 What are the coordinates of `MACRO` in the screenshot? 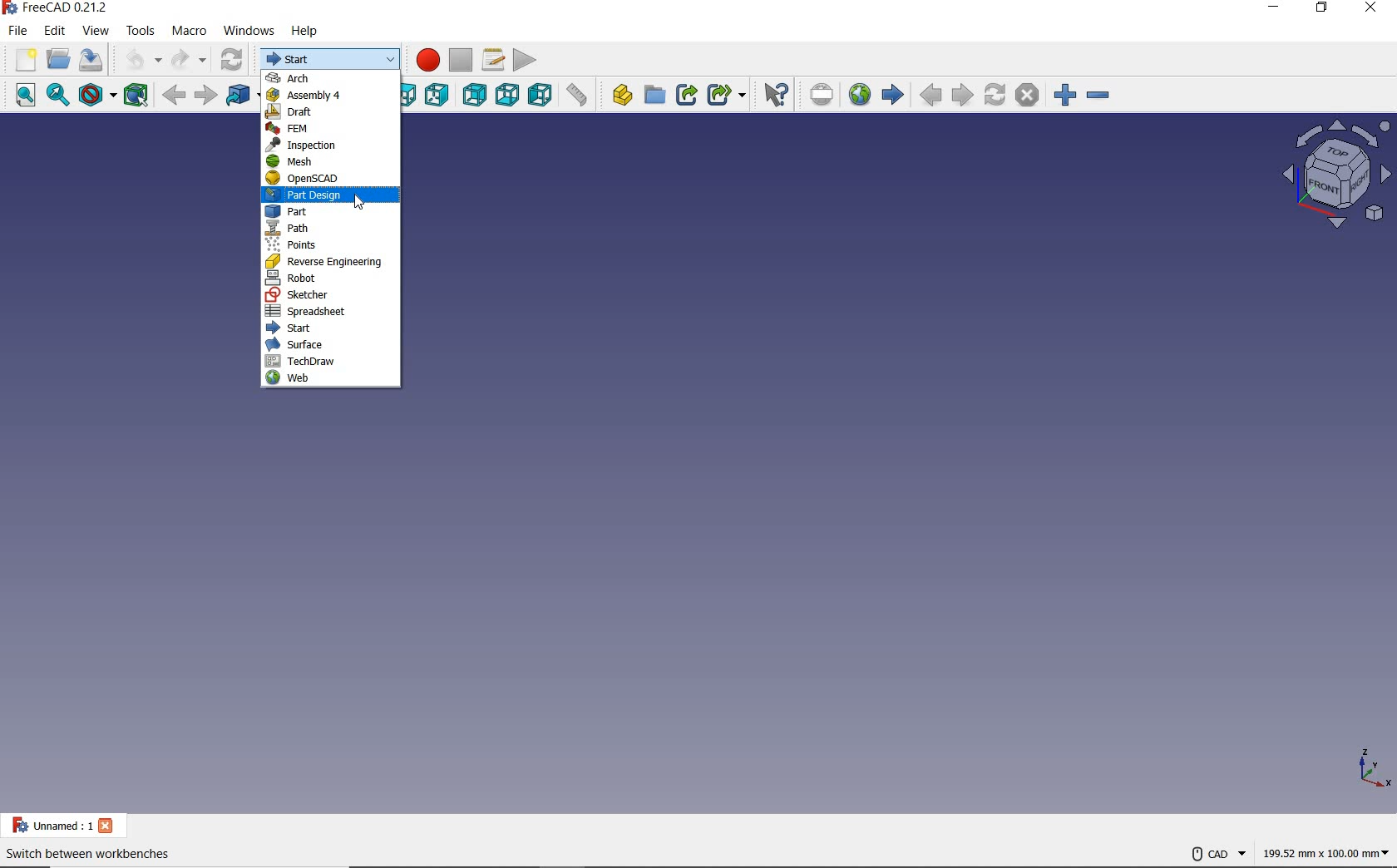 It's located at (189, 33).